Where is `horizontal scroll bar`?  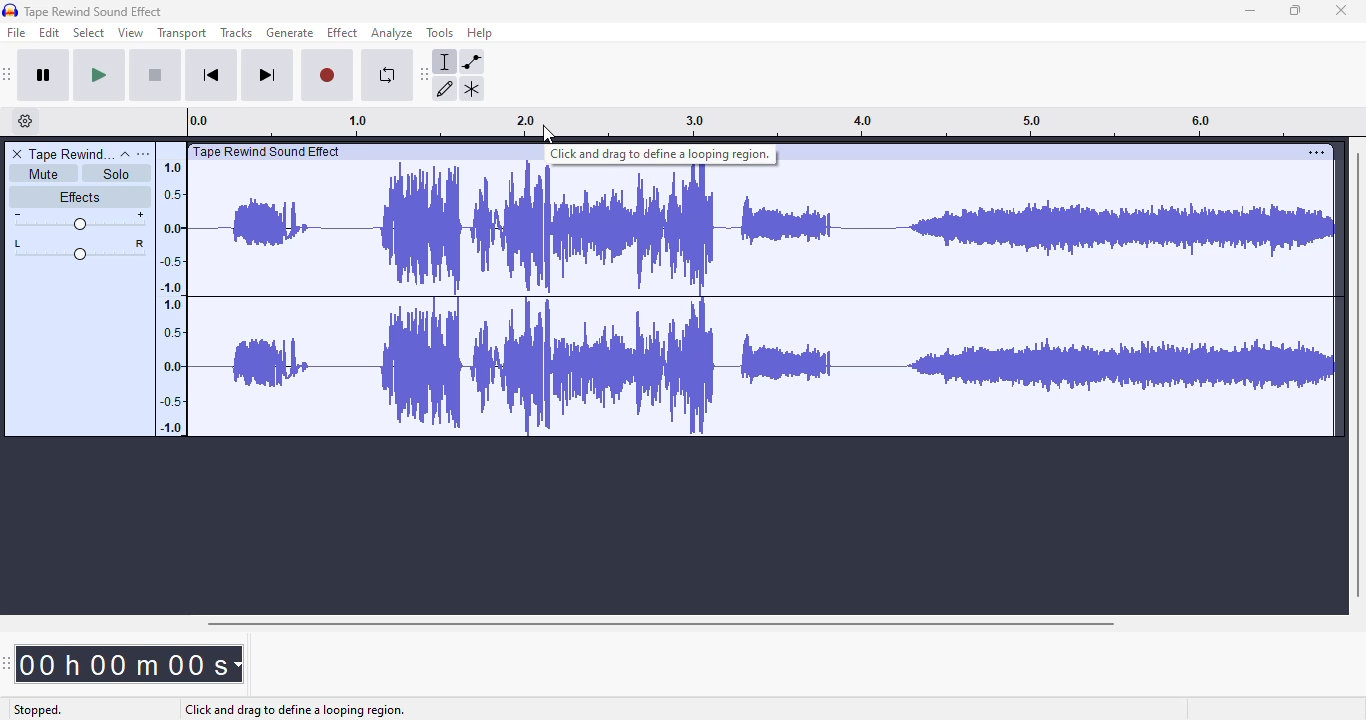
horizontal scroll bar is located at coordinates (657, 623).